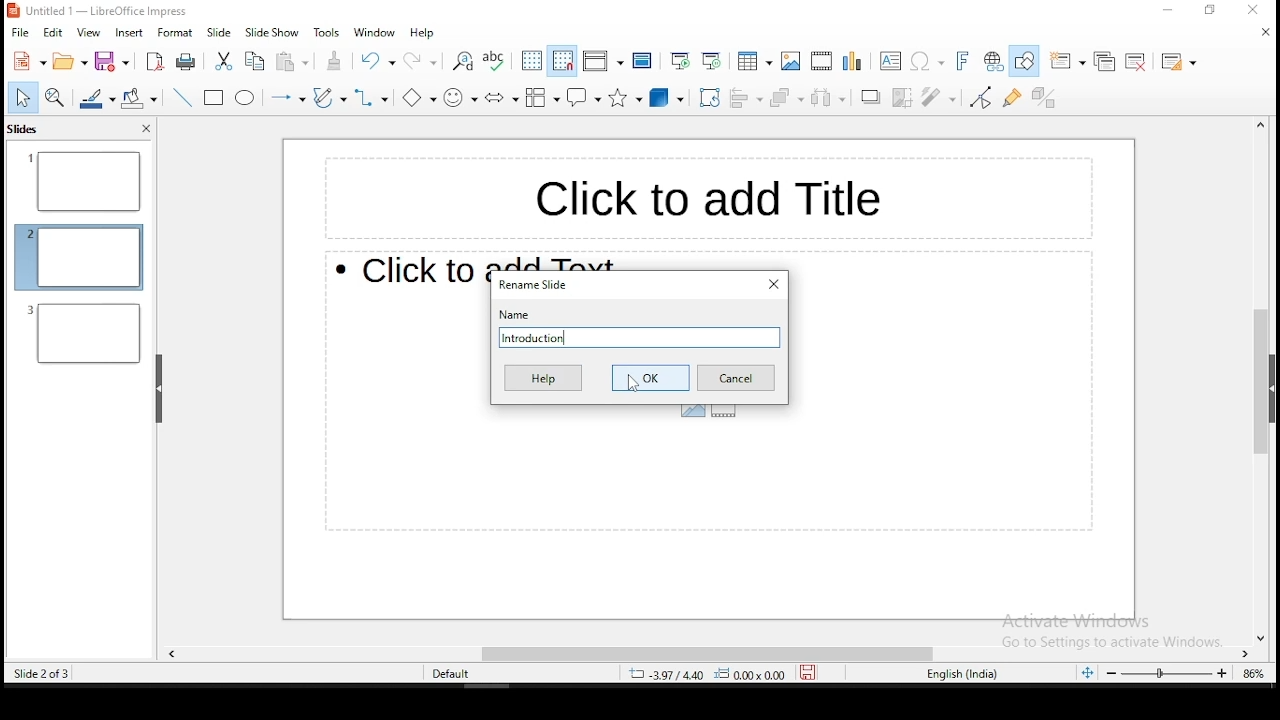  Describe the element at coordinates (602, 59) in the screenshot. I see `display views` at that location.